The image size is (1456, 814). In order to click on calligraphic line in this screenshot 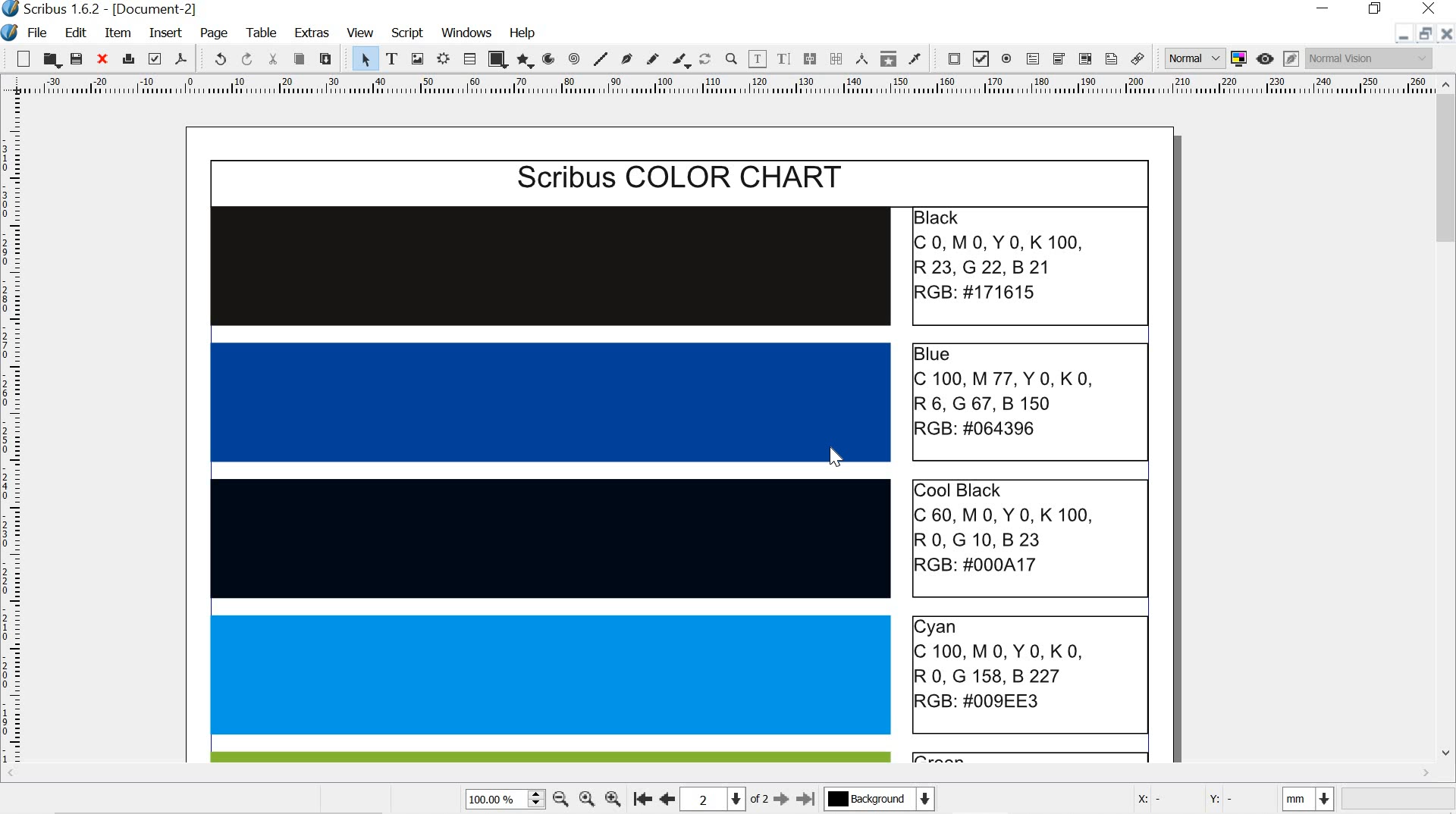, I will do `click(682, 61)`.